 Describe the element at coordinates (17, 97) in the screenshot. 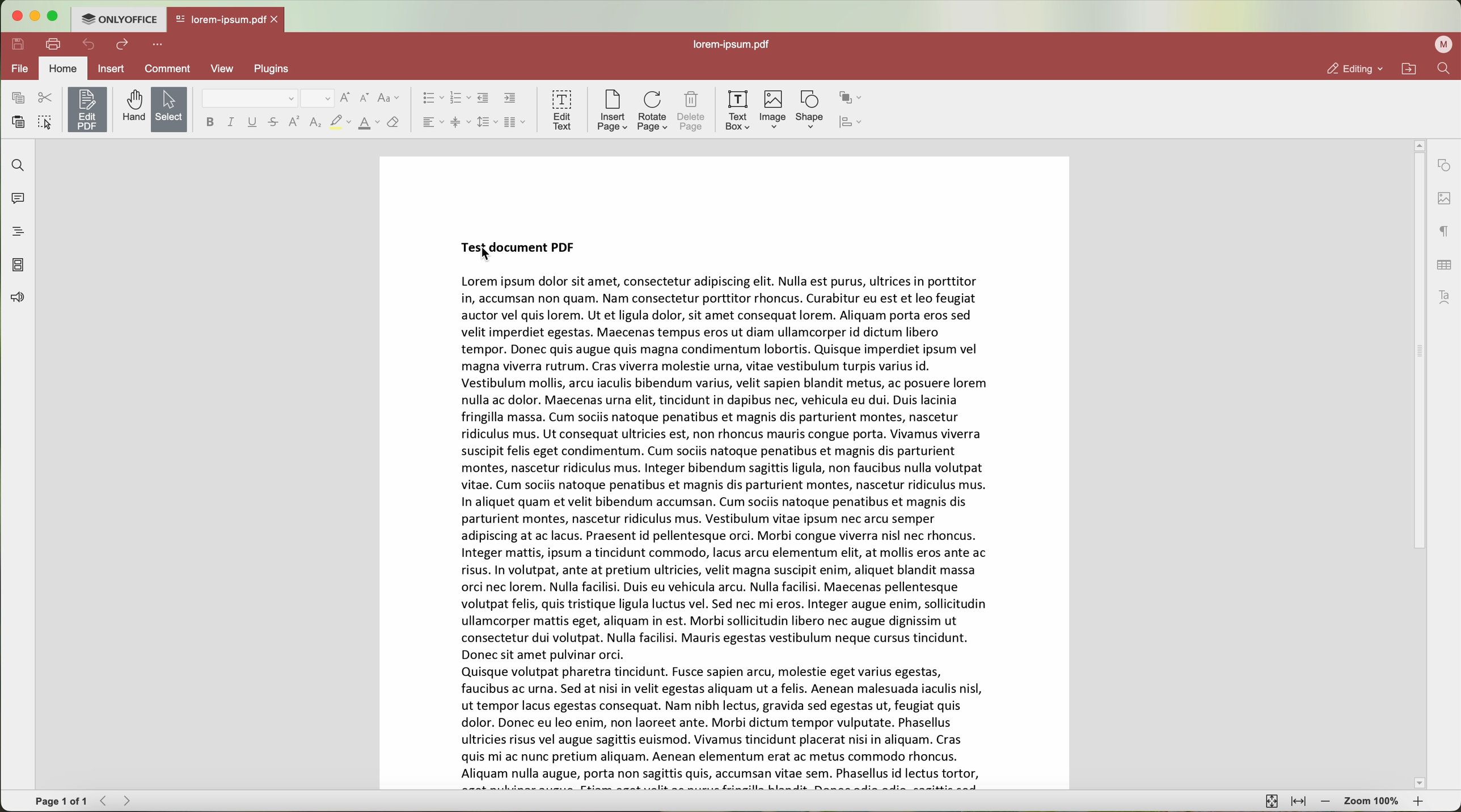

I see `copy` at that location.